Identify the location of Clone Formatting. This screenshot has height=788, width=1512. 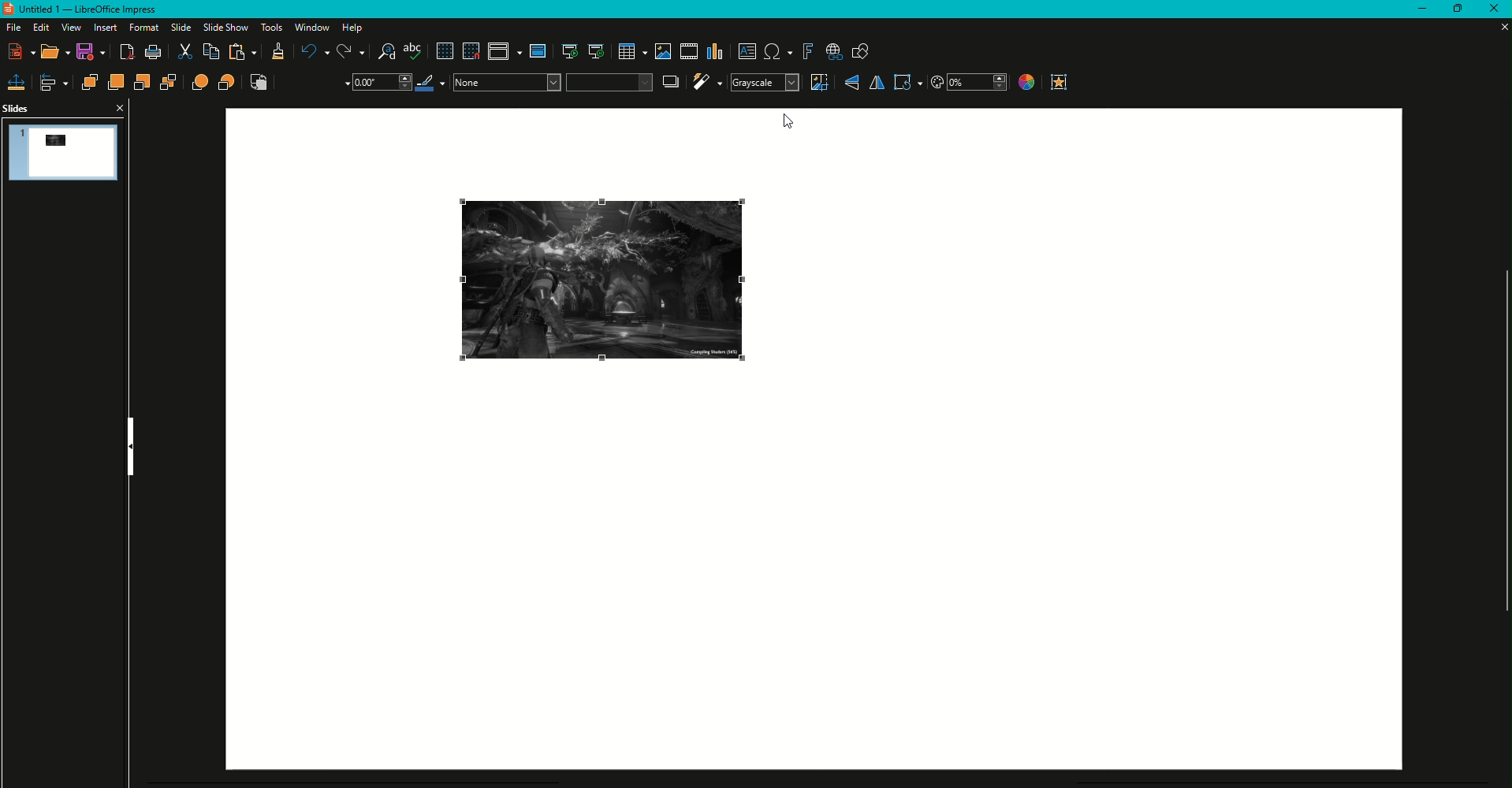
(277, 54).